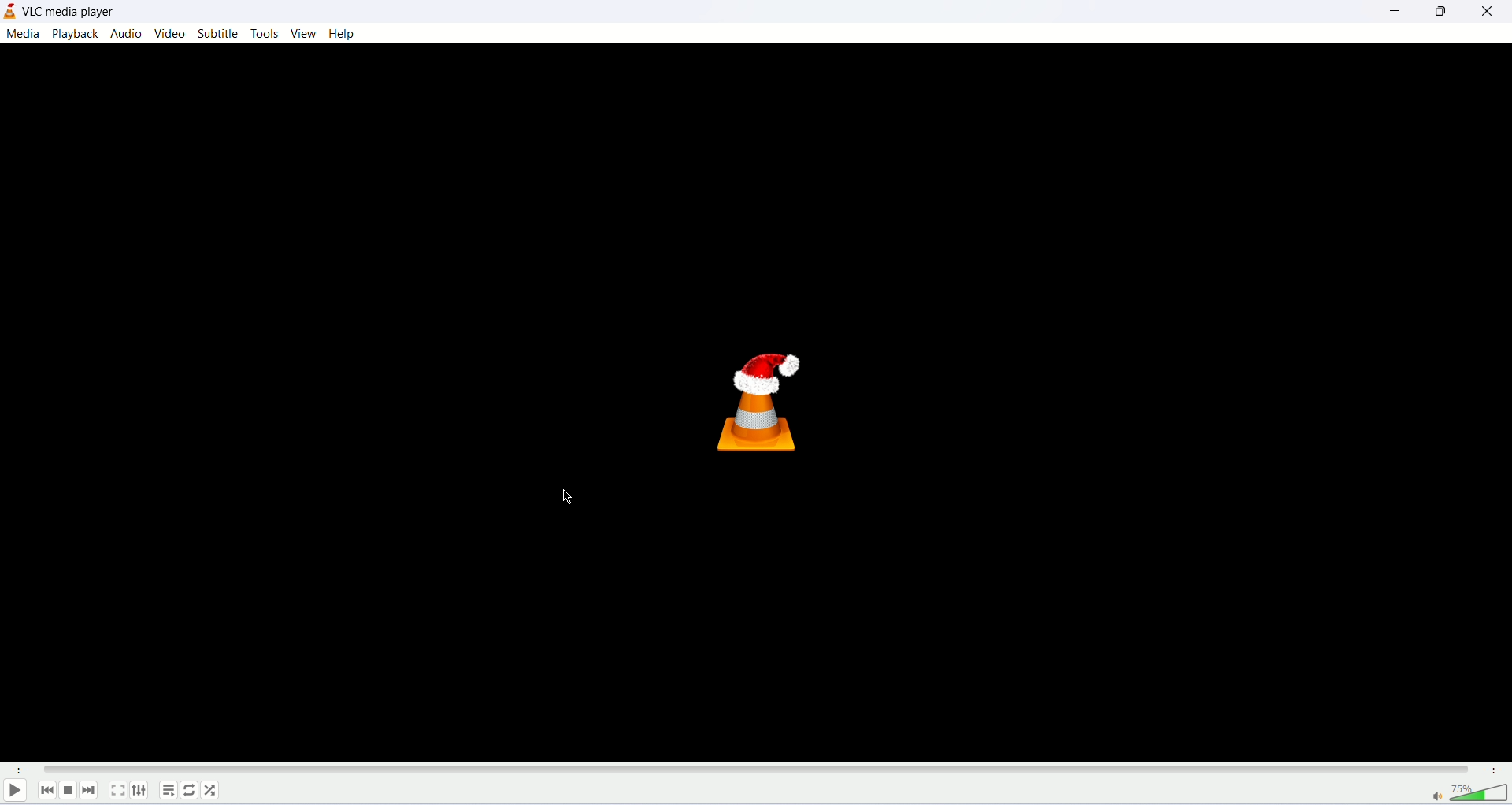 This screenshot has height=805, width=1512. I want to click on application icon, so click(9, 13).